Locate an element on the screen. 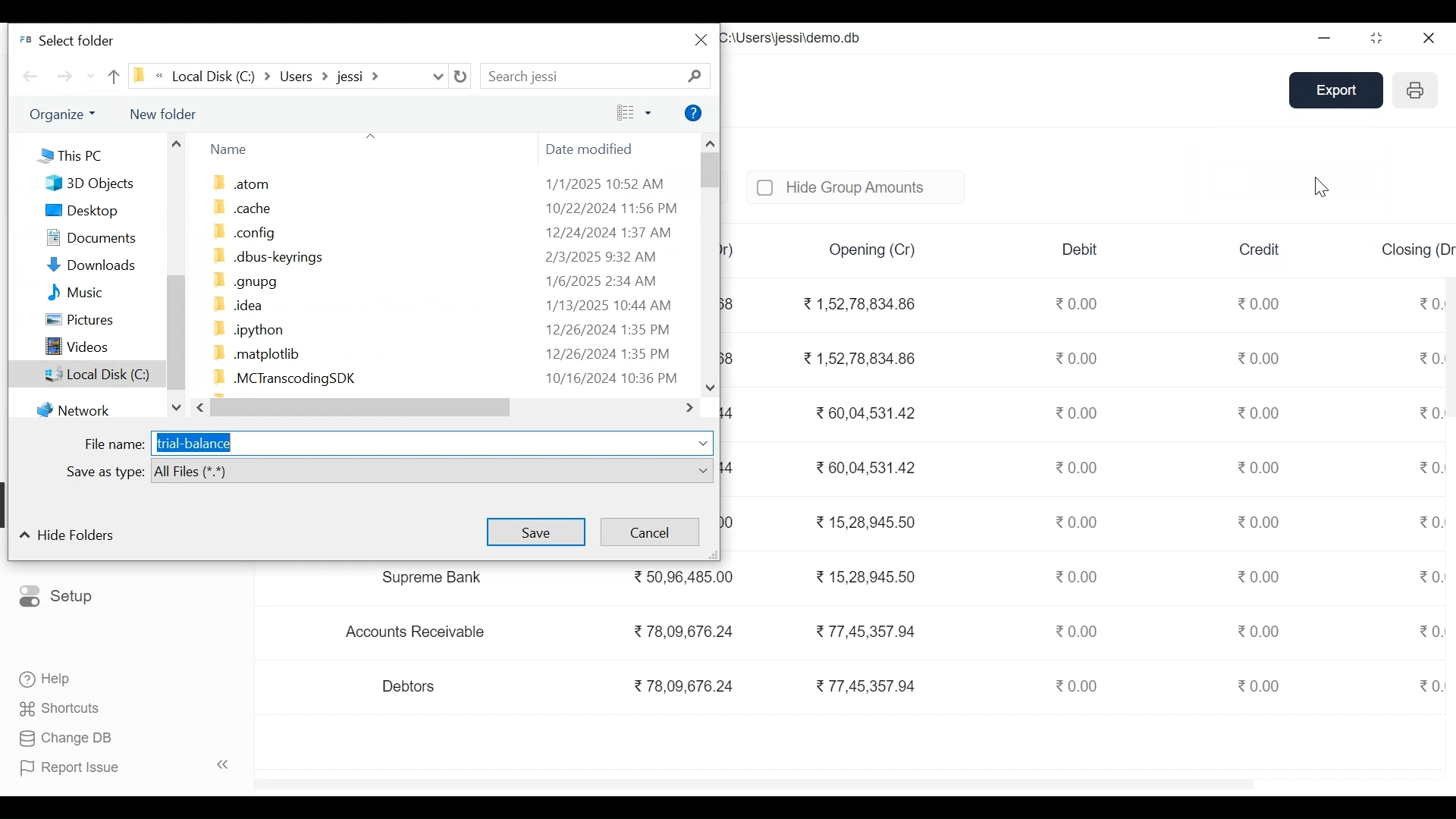 This screenshot has height=819, width=1456. cursor is located at coordinates (1323, 187).